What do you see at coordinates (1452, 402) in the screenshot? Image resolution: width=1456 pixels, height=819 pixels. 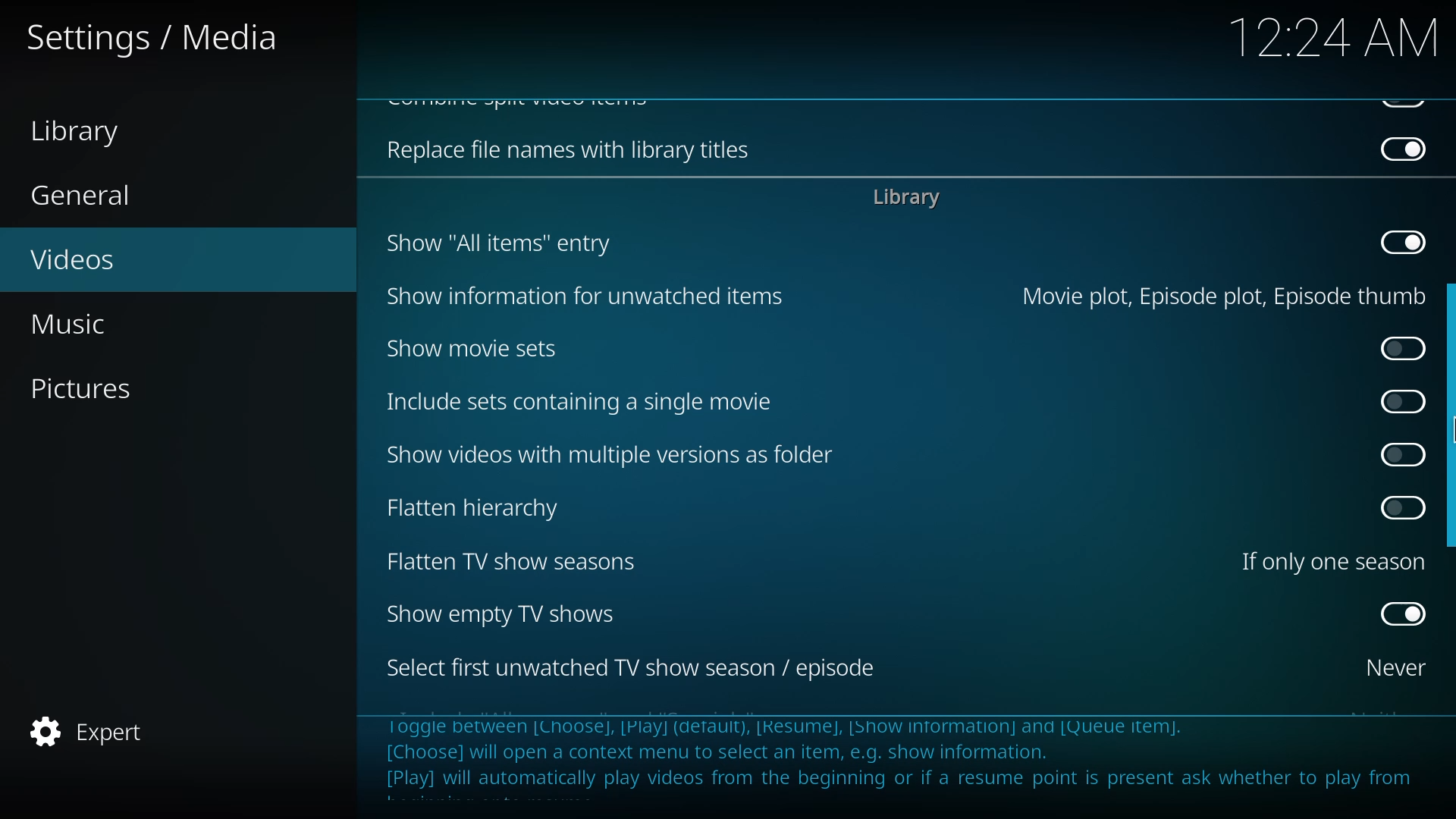 I see `mouse up` at bounding box center [1452, 402].